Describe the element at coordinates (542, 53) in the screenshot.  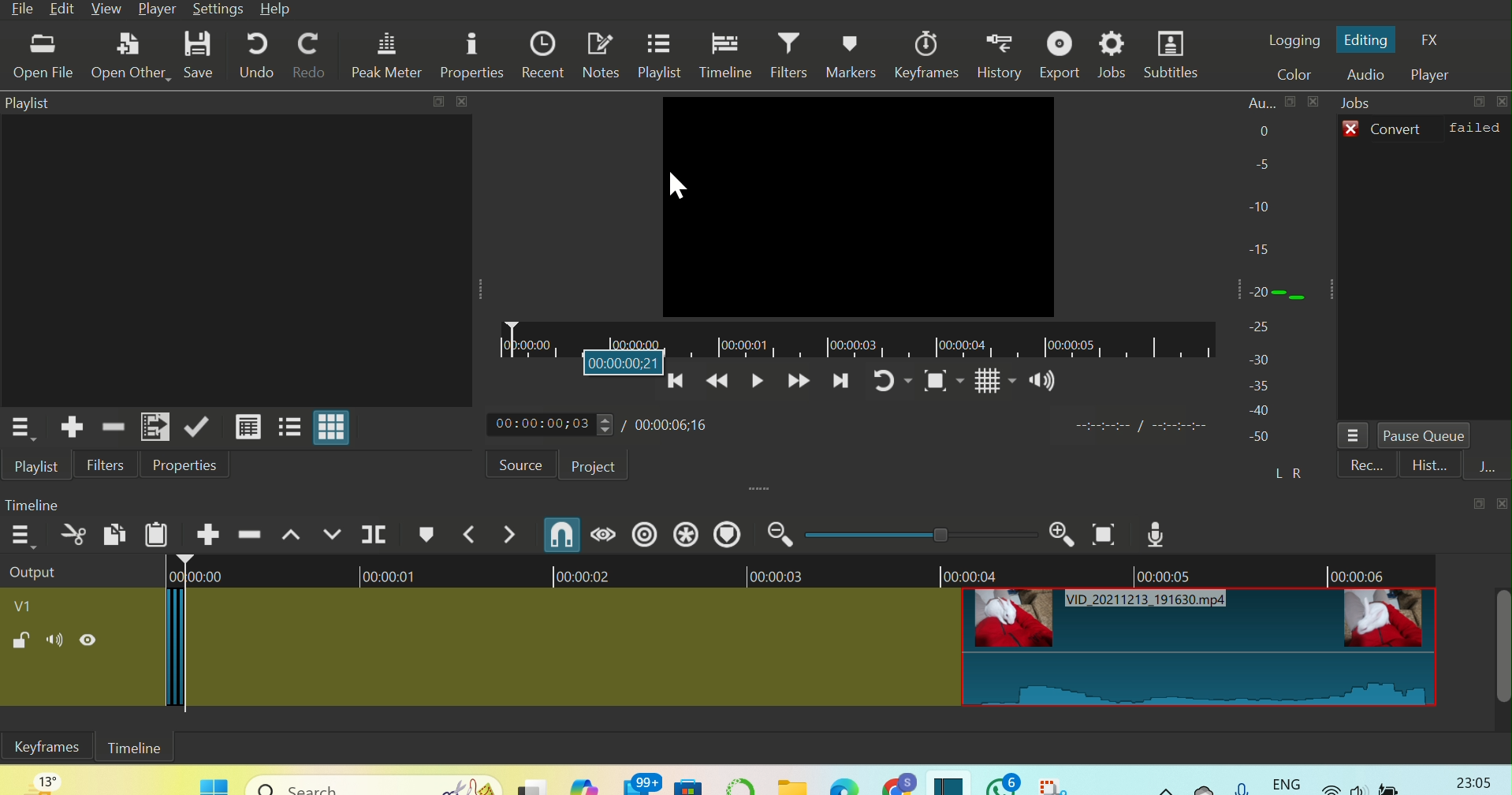
I see `Recent` at that location.